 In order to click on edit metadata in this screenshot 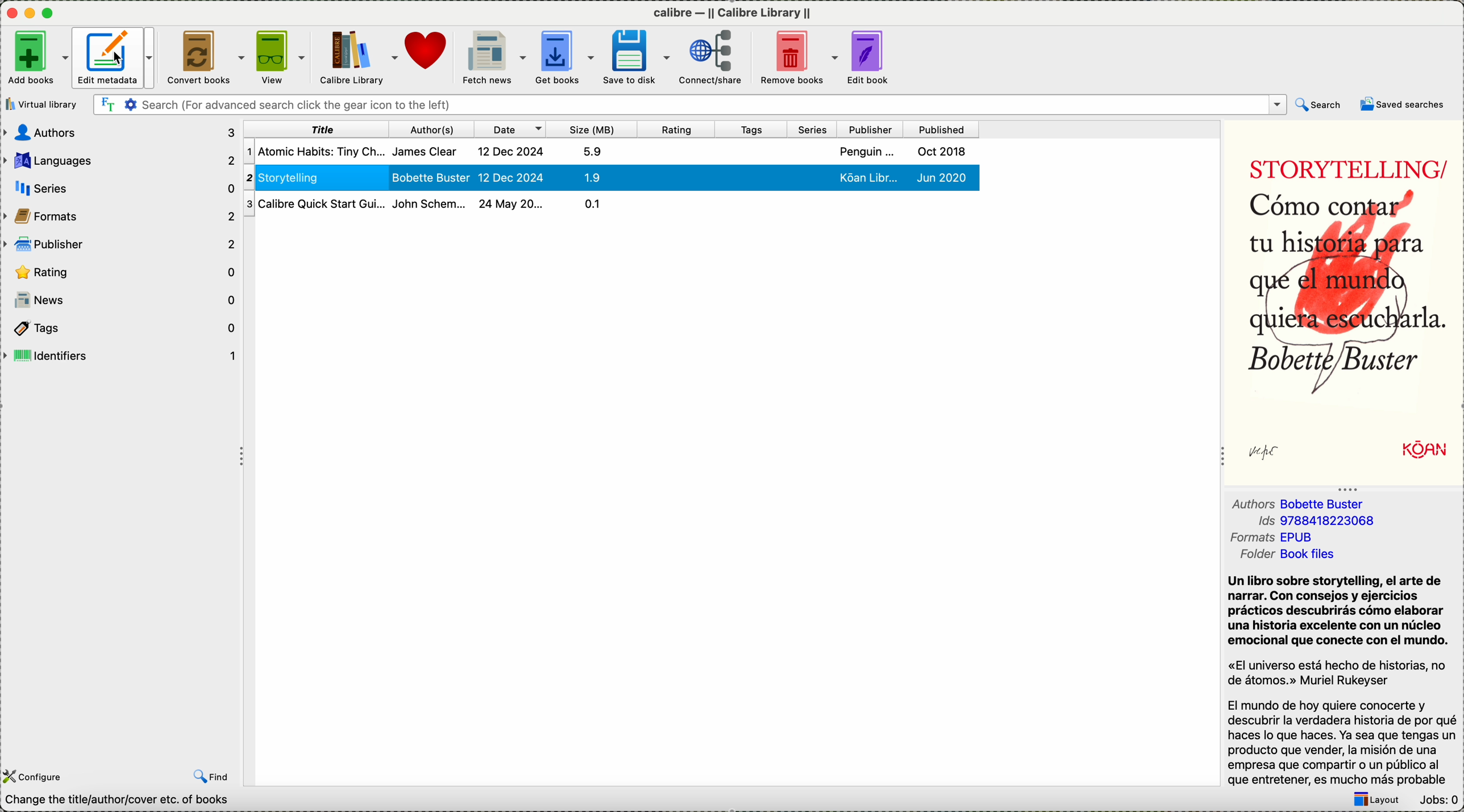, I will do `click(118, 57)`.